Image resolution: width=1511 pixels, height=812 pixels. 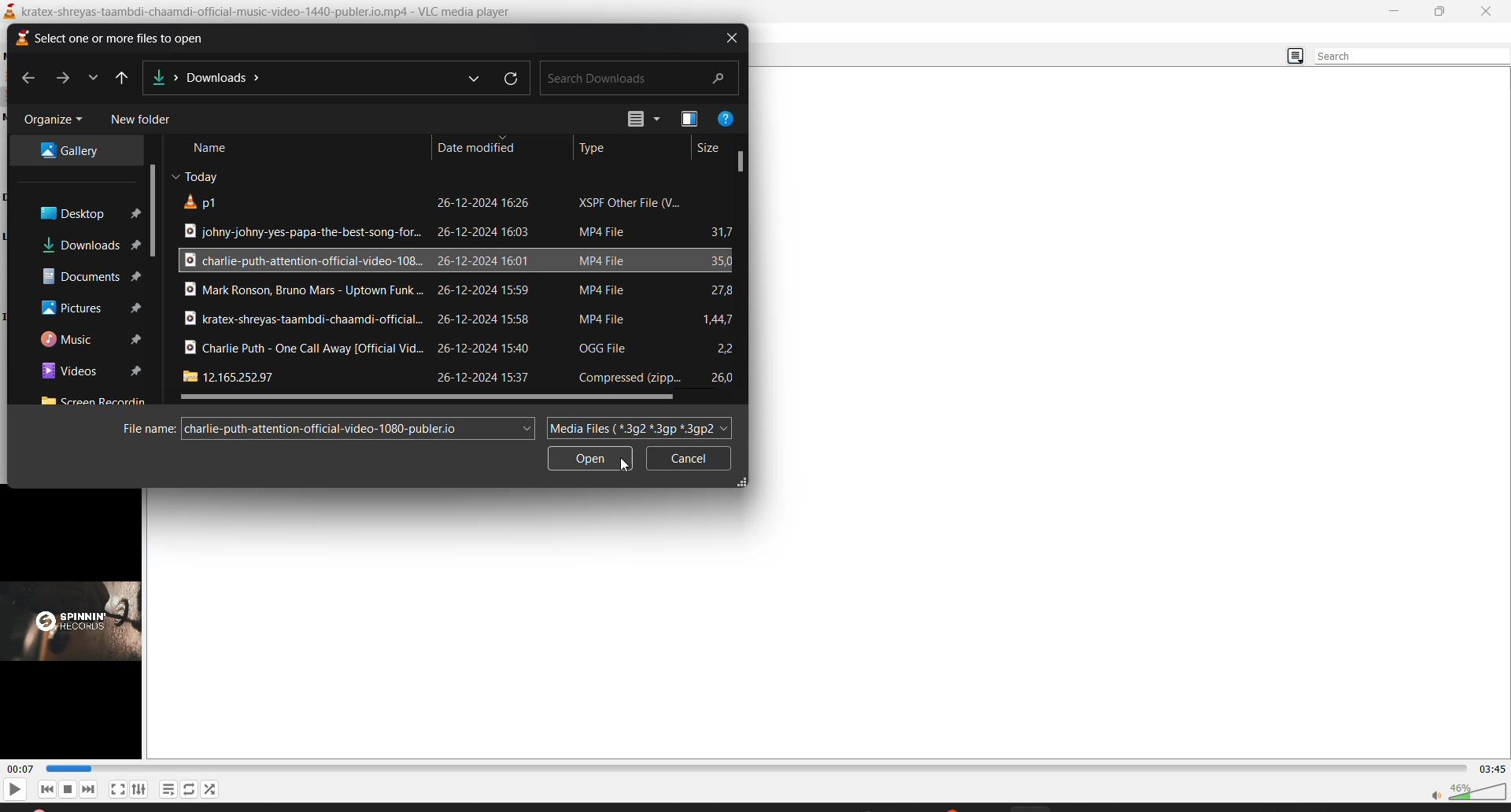 What do you see at coordinates (708, 148) in the screenshot?
I see `size` at bounding box center [708, 148].